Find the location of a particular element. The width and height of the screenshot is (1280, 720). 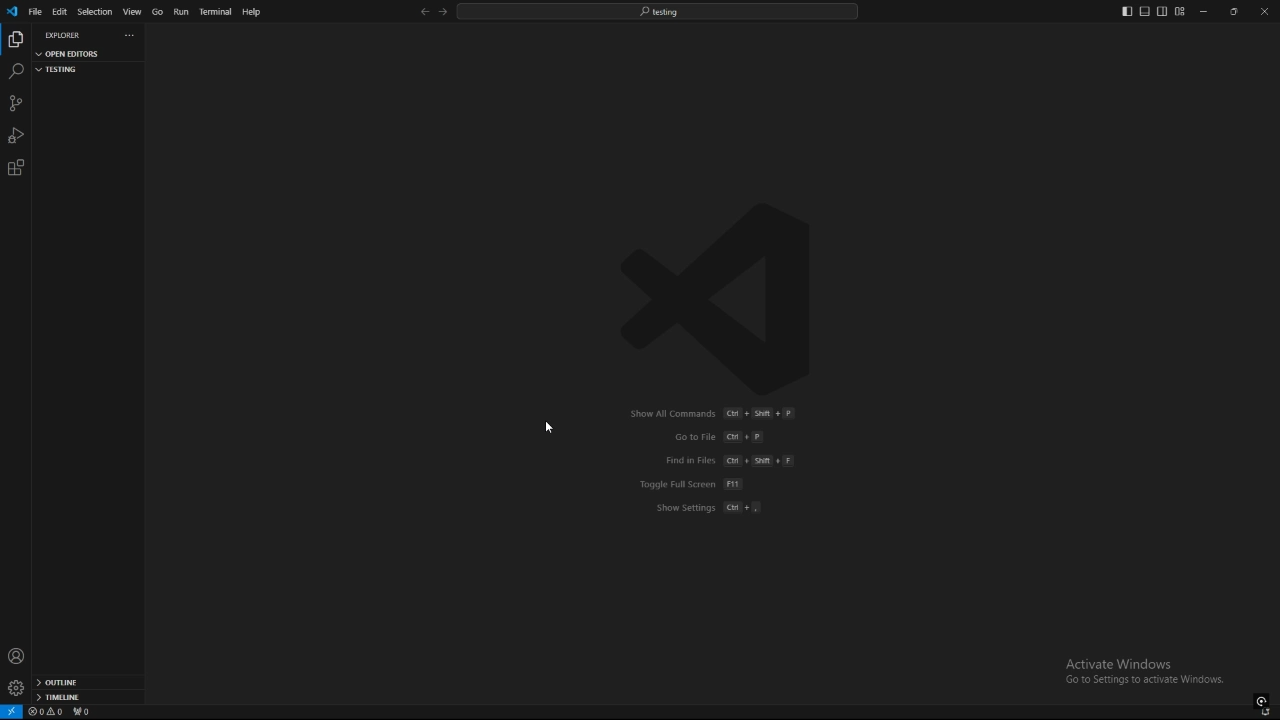

Show All Commands CTRL + SHIFT + P is located at coordinates (705, 413).